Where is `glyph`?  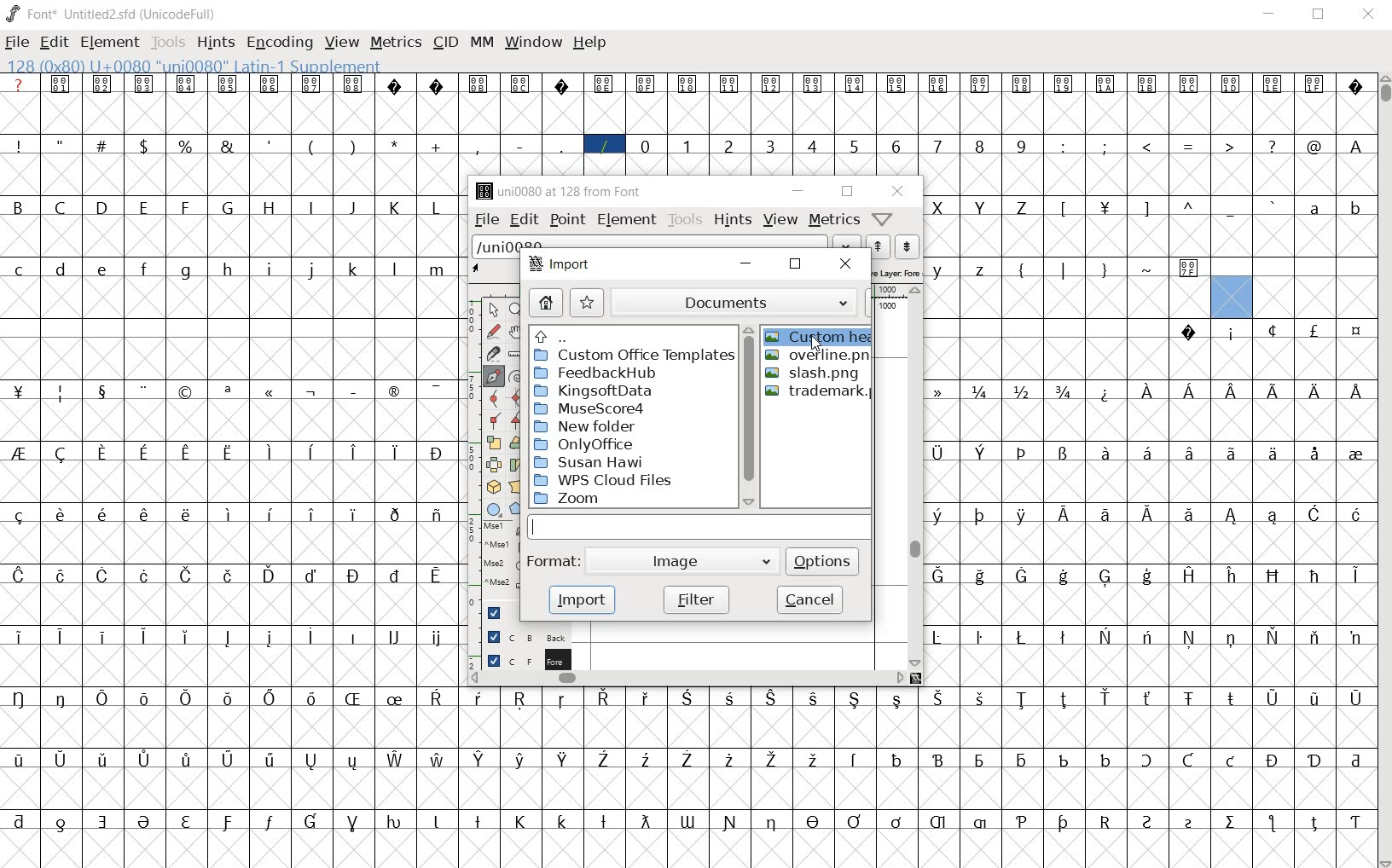 glyph is located at coordinates (228, 206).